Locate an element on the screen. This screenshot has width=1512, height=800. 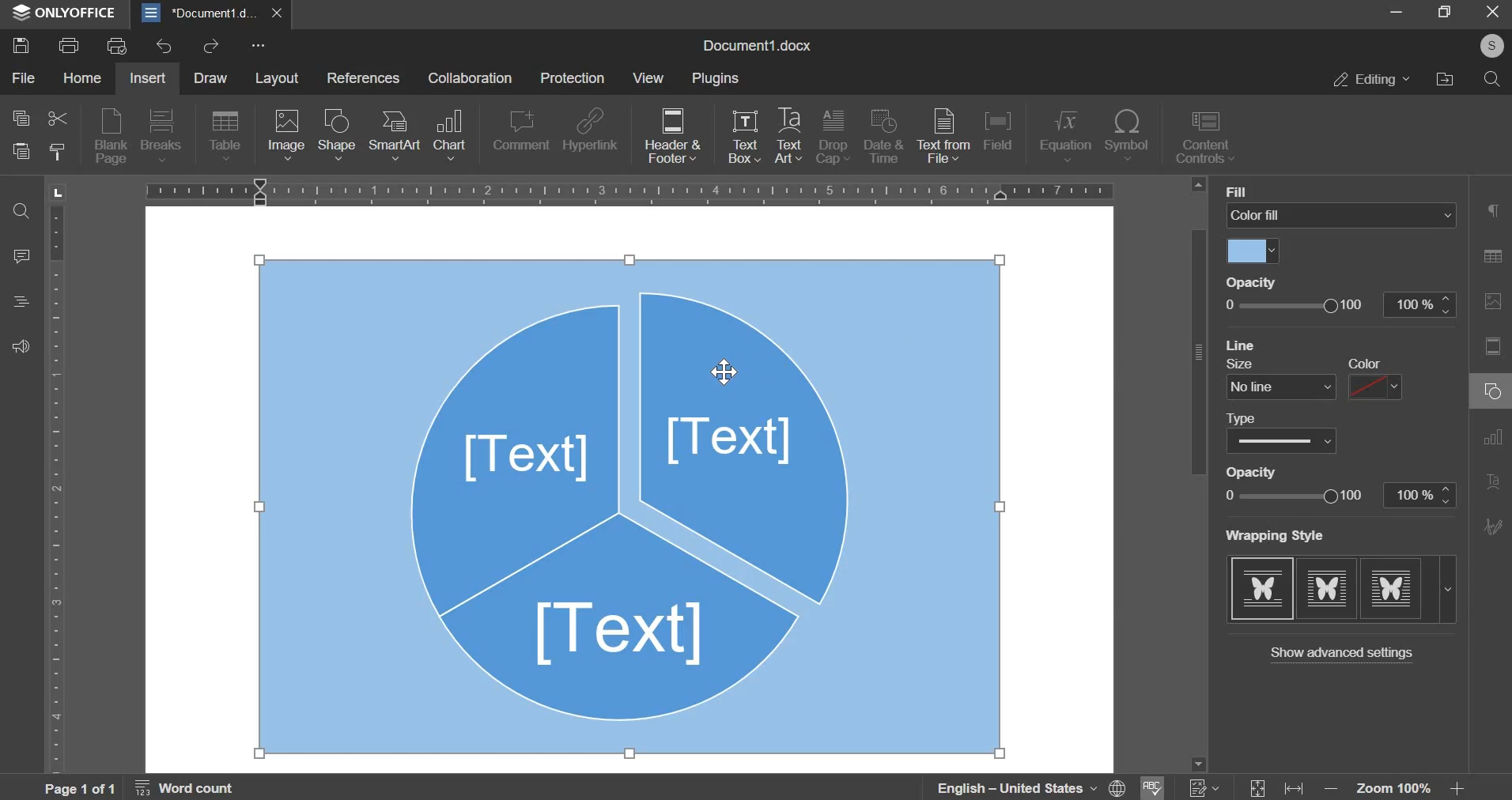
undo is located at coordinates (164, 47).